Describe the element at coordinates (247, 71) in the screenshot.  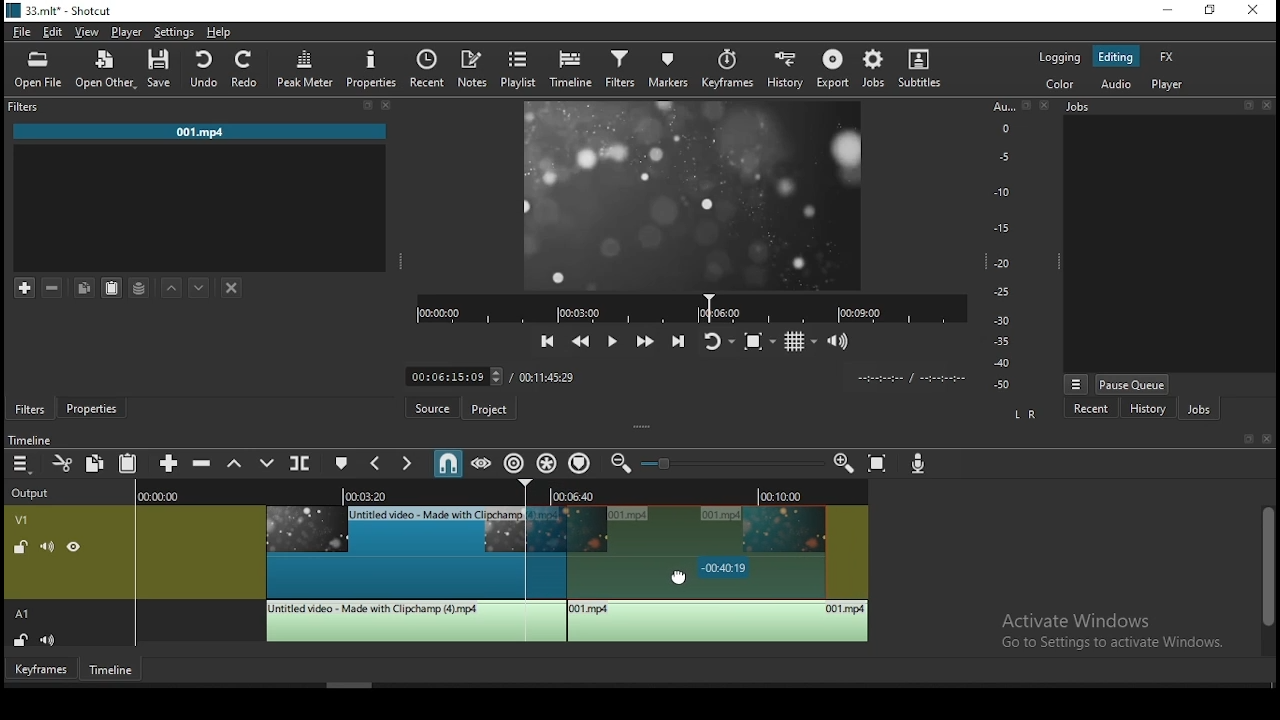
I see `redo` at that location.